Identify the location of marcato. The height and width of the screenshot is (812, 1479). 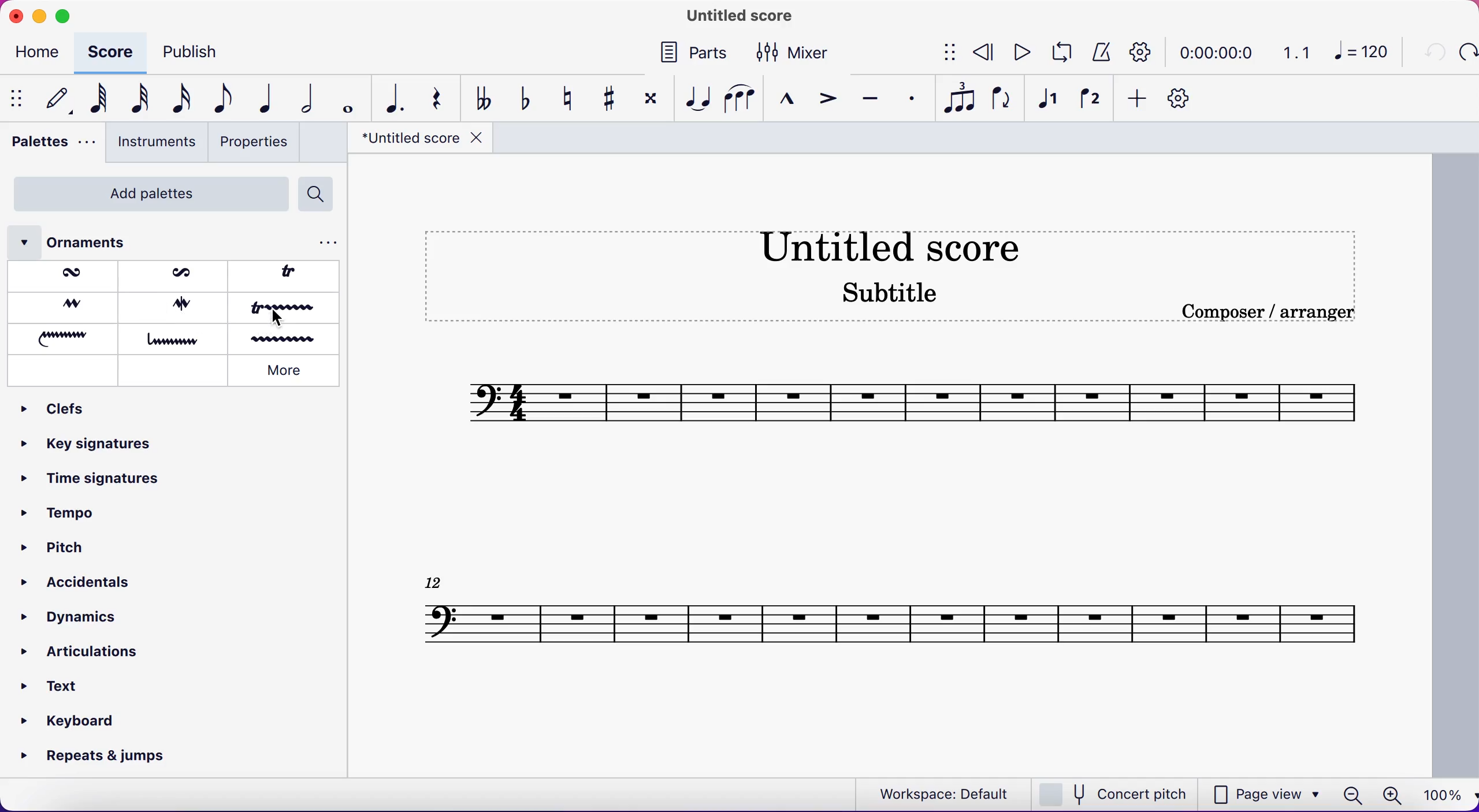
(789, 99).